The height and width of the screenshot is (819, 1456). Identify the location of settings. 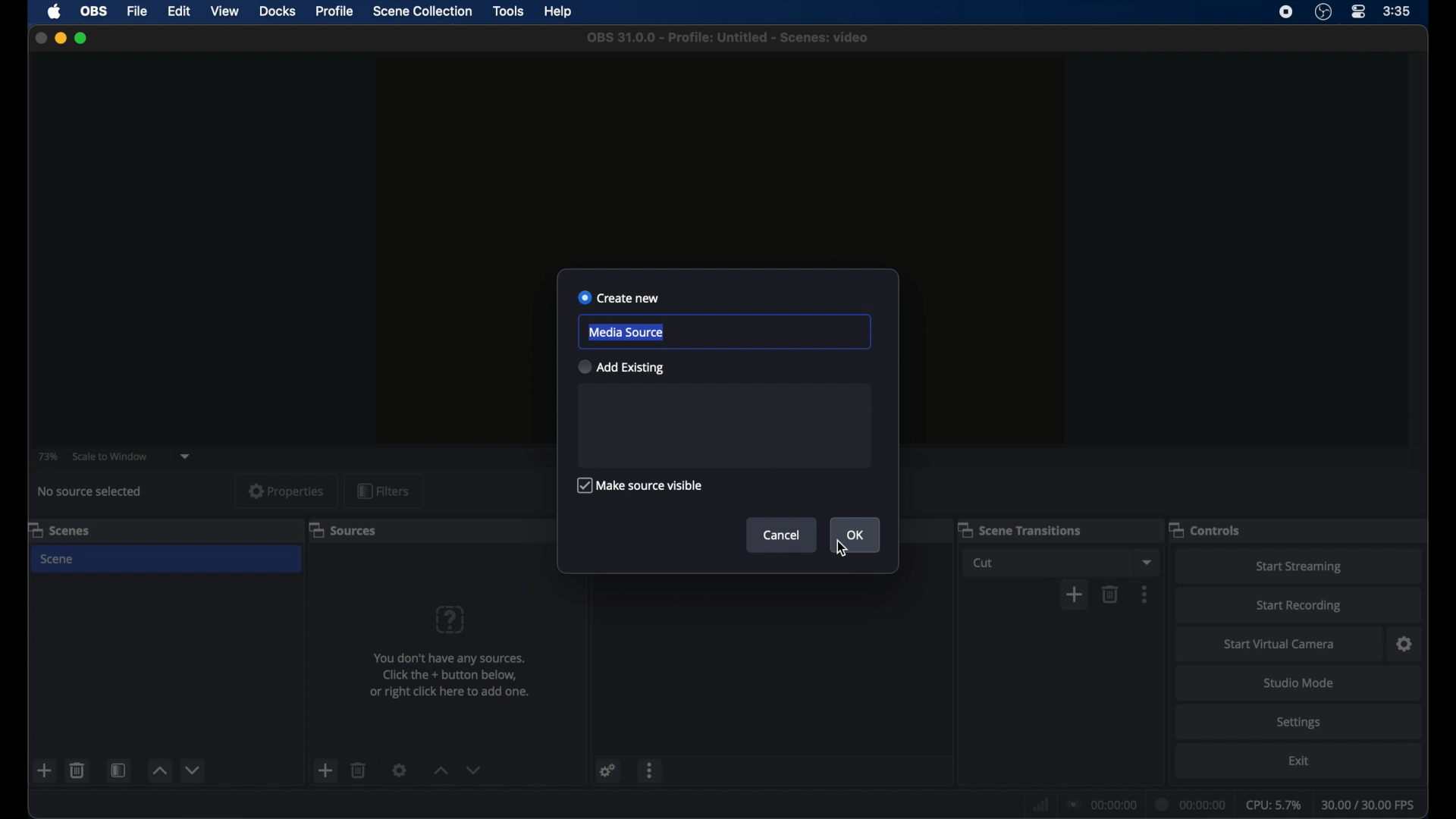
(608, 770).